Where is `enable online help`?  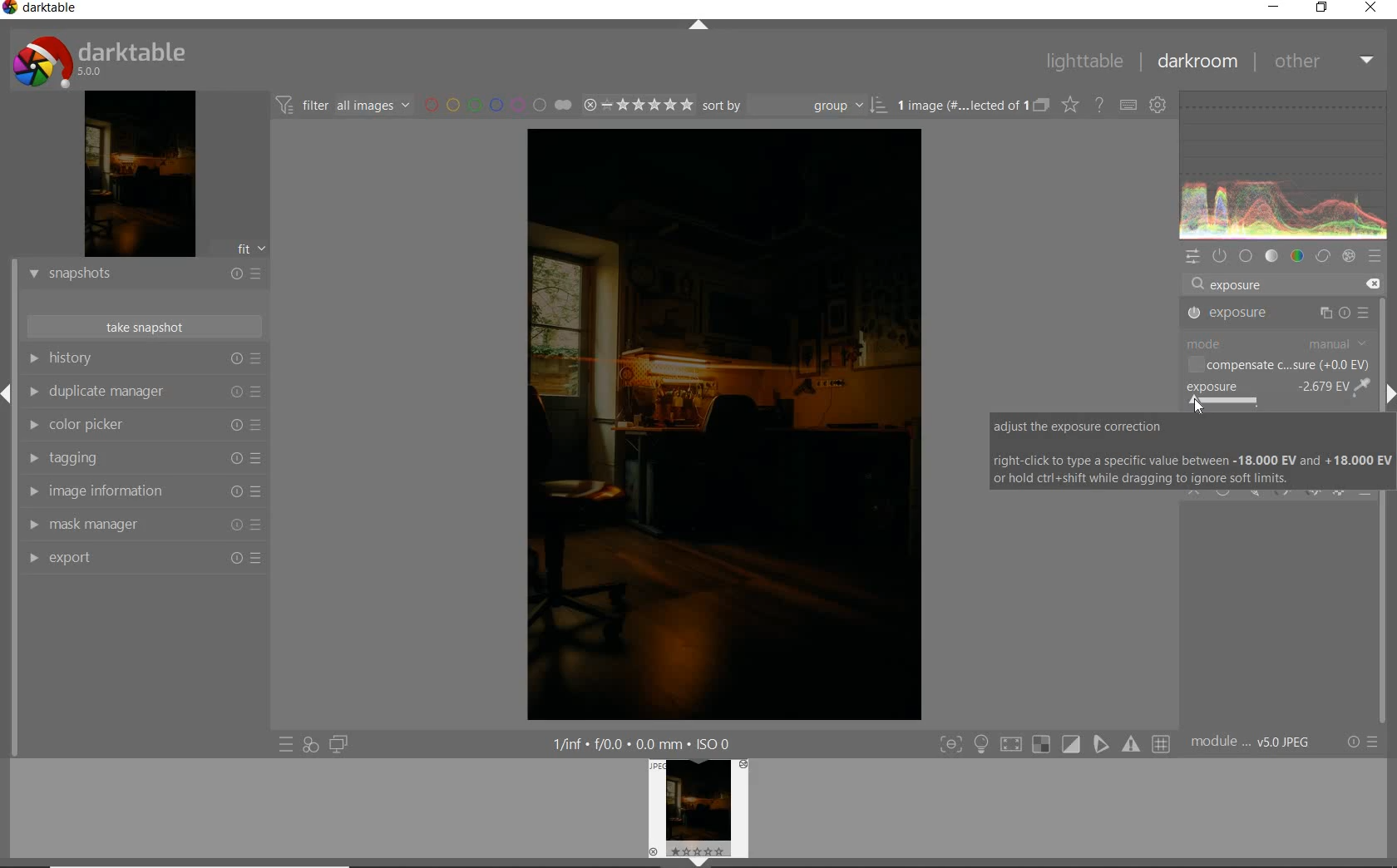 enable online help is located at coordinates (1099, 106).